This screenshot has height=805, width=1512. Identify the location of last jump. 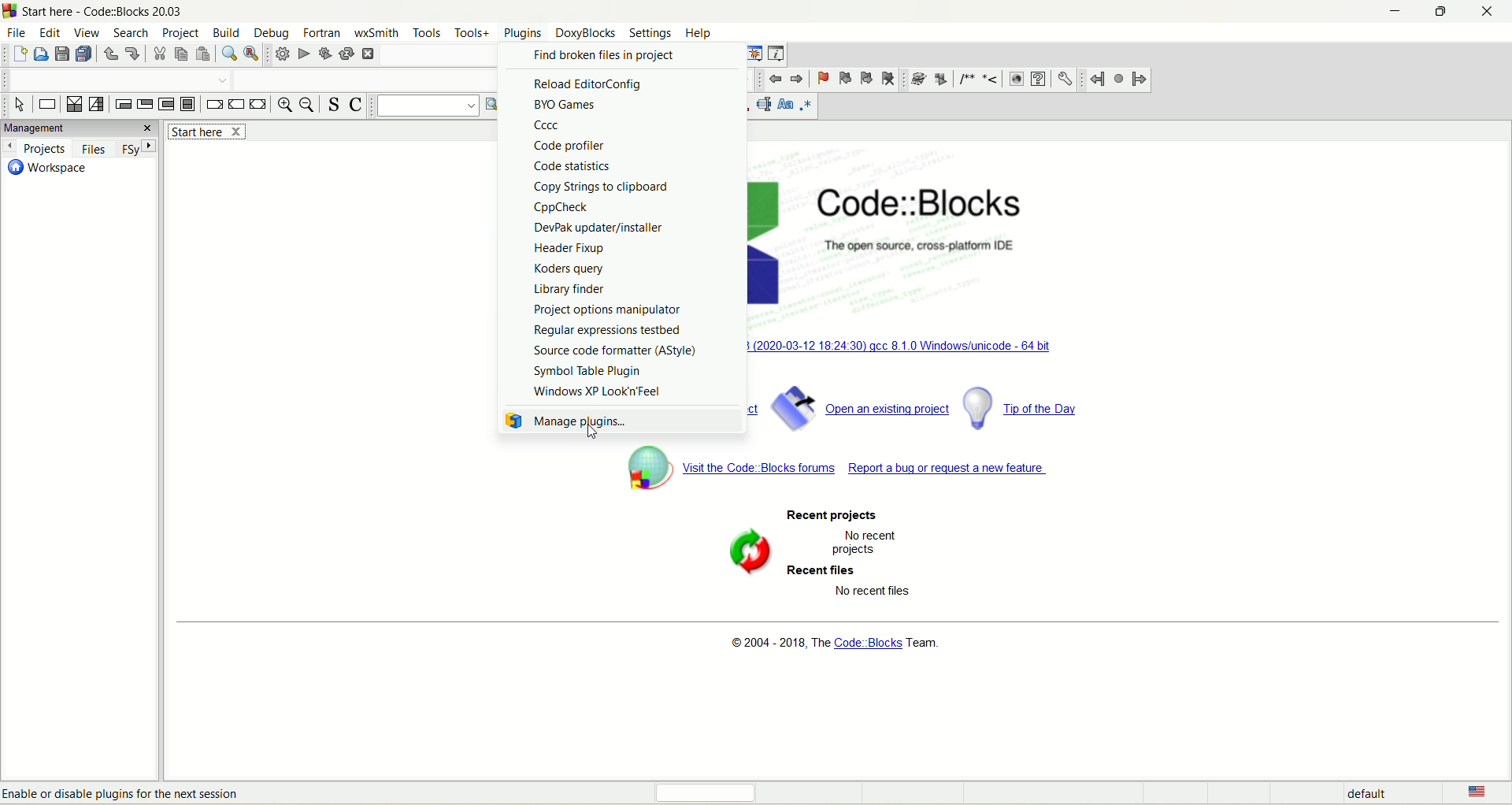
(1118, 78).